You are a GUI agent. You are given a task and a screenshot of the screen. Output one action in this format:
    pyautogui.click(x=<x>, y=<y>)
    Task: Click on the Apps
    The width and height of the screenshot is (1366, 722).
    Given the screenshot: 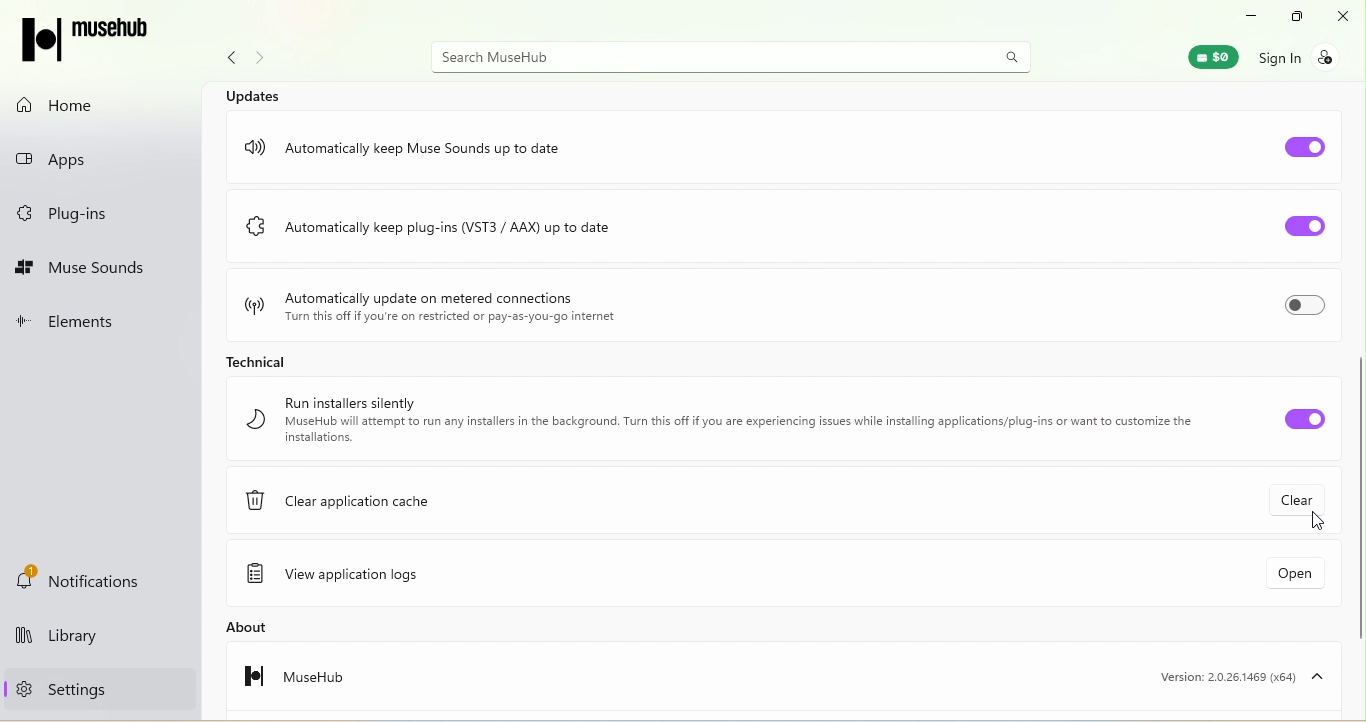 What is the action you would take?
    pyautogui.click(x=79, y=155)
    